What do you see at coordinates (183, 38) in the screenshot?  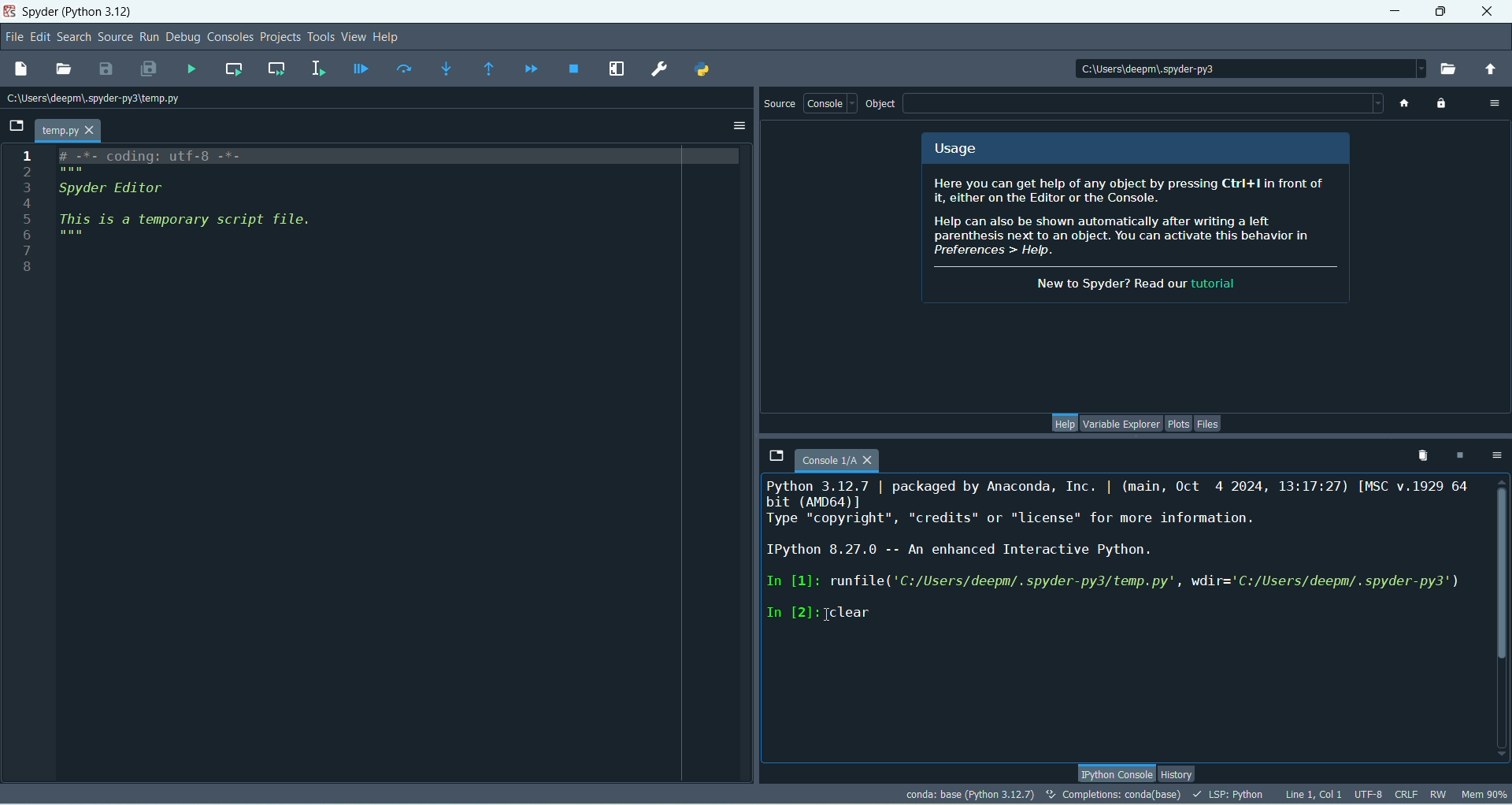 I see `debug` at bounding box center [183, 38].